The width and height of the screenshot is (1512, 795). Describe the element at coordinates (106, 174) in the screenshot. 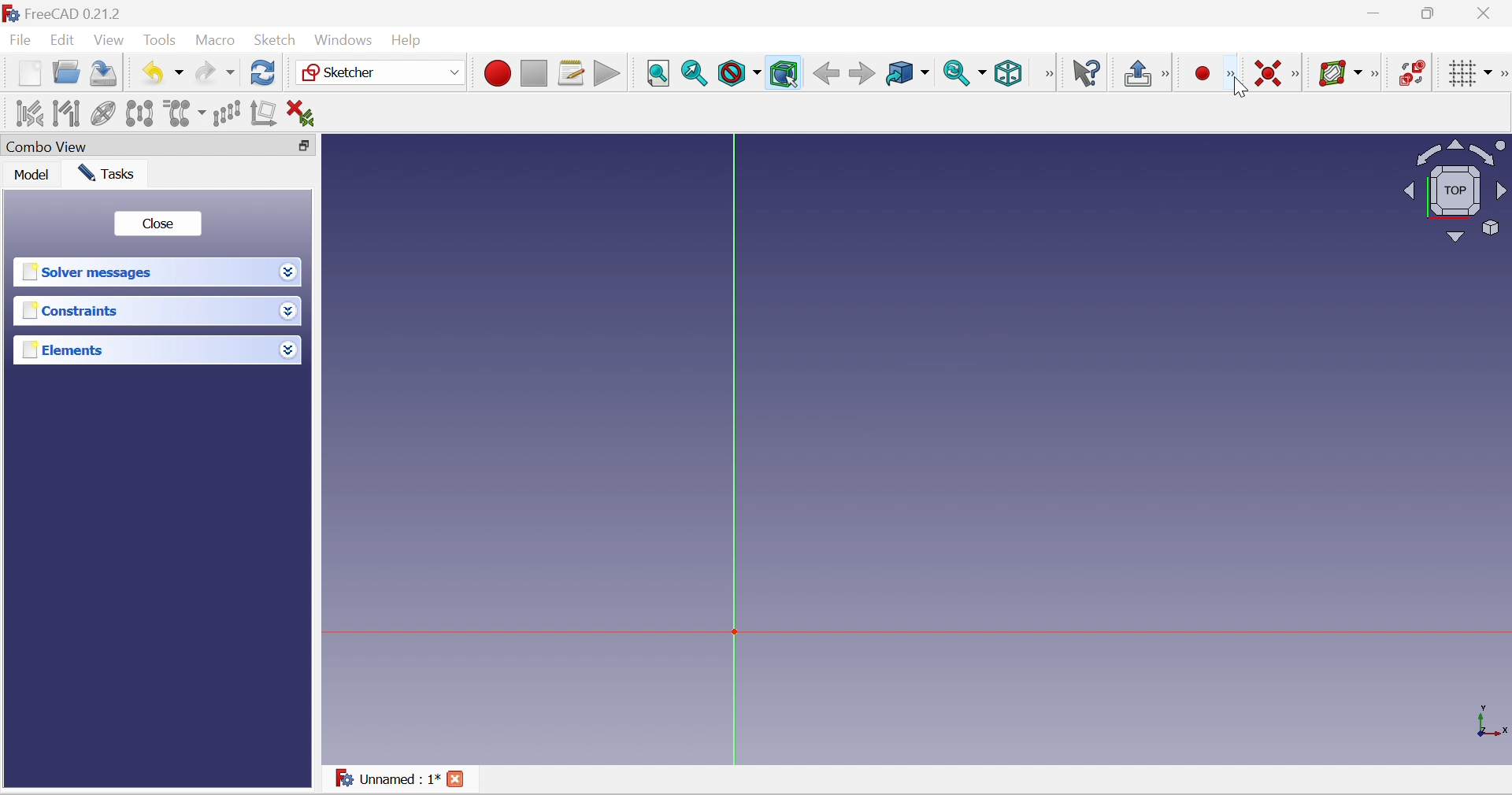

I see `Tasks` at that location.